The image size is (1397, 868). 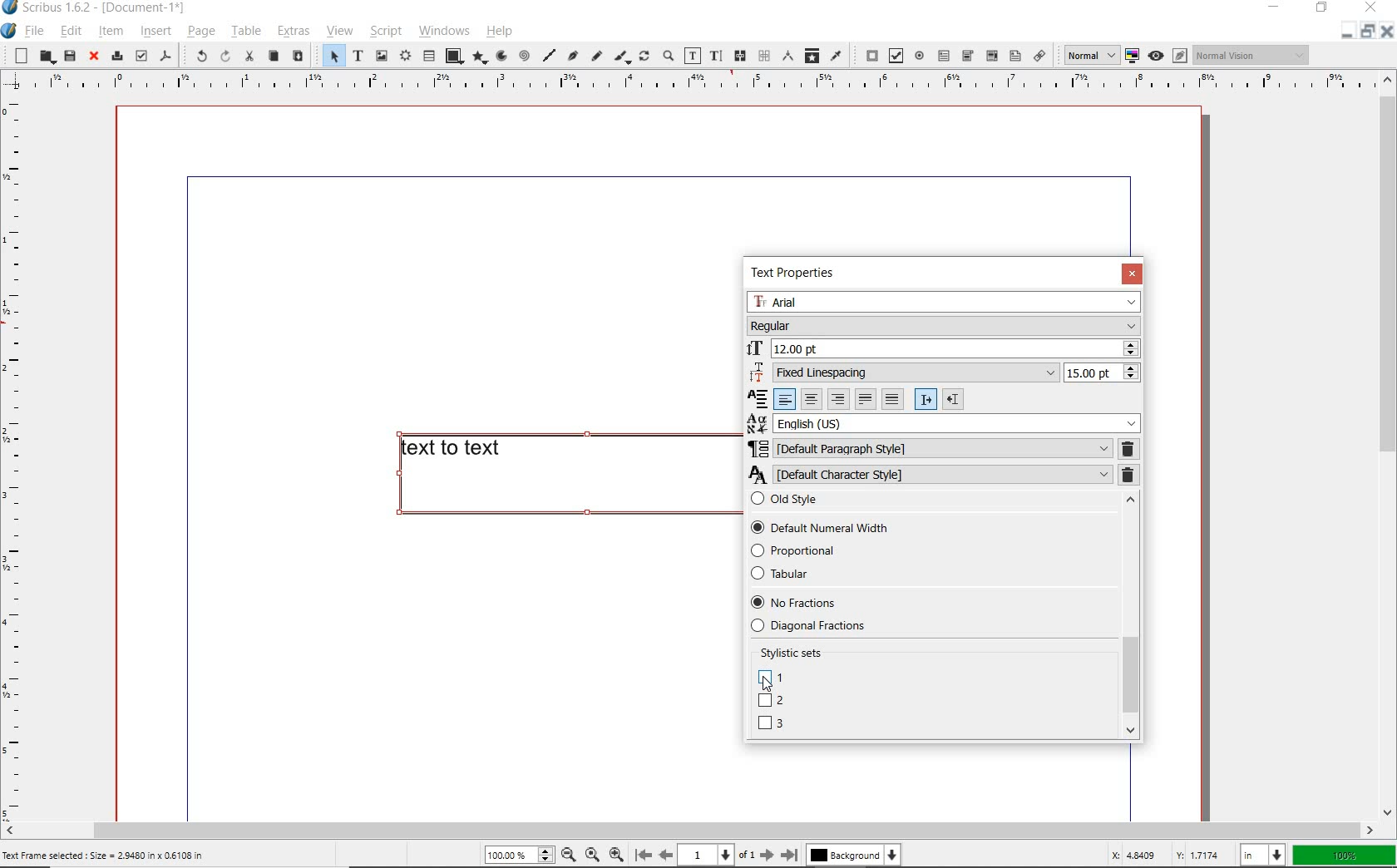 I want to click on close, so click(x=1371, y=7).